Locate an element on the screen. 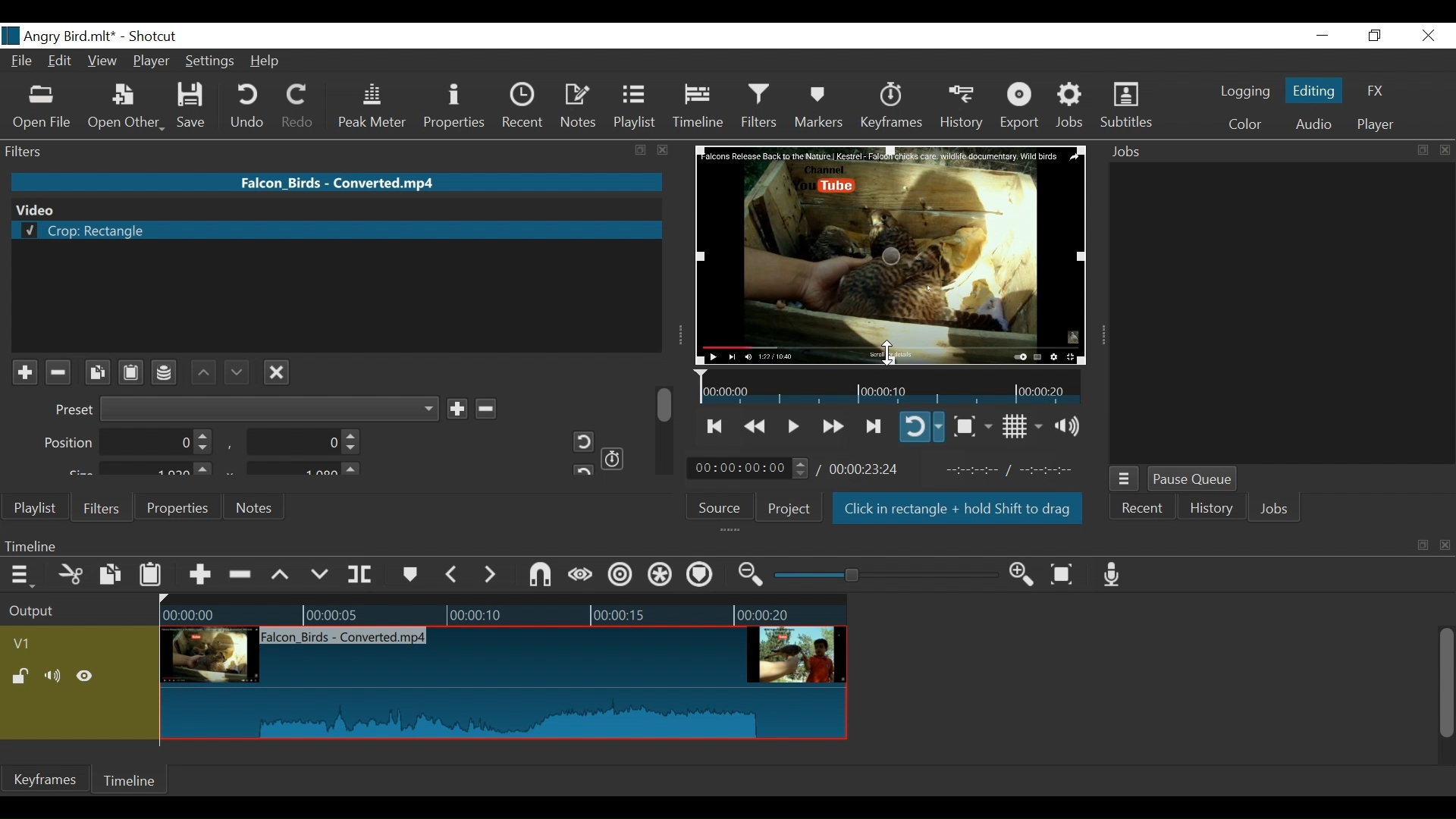  Peak Meter is located at coordinates (375, 107).